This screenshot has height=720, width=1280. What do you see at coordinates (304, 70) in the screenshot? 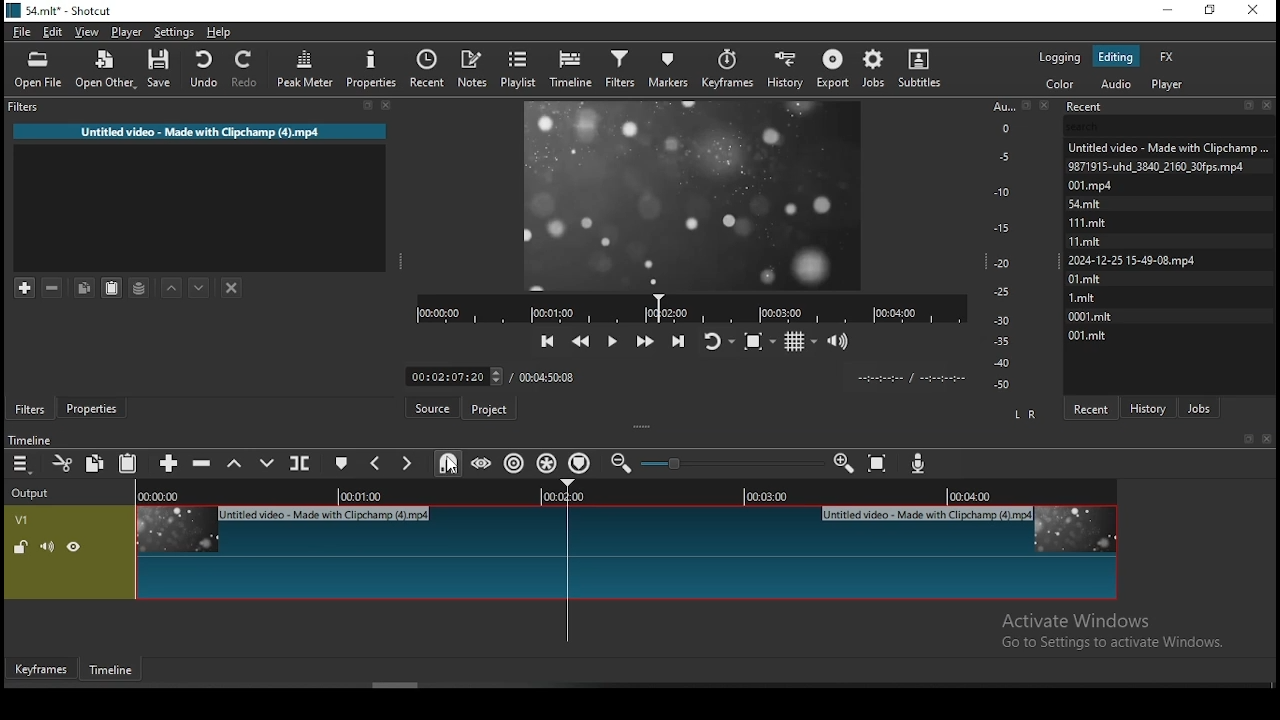
I see `peak meter` at bounding box center [304, 70].